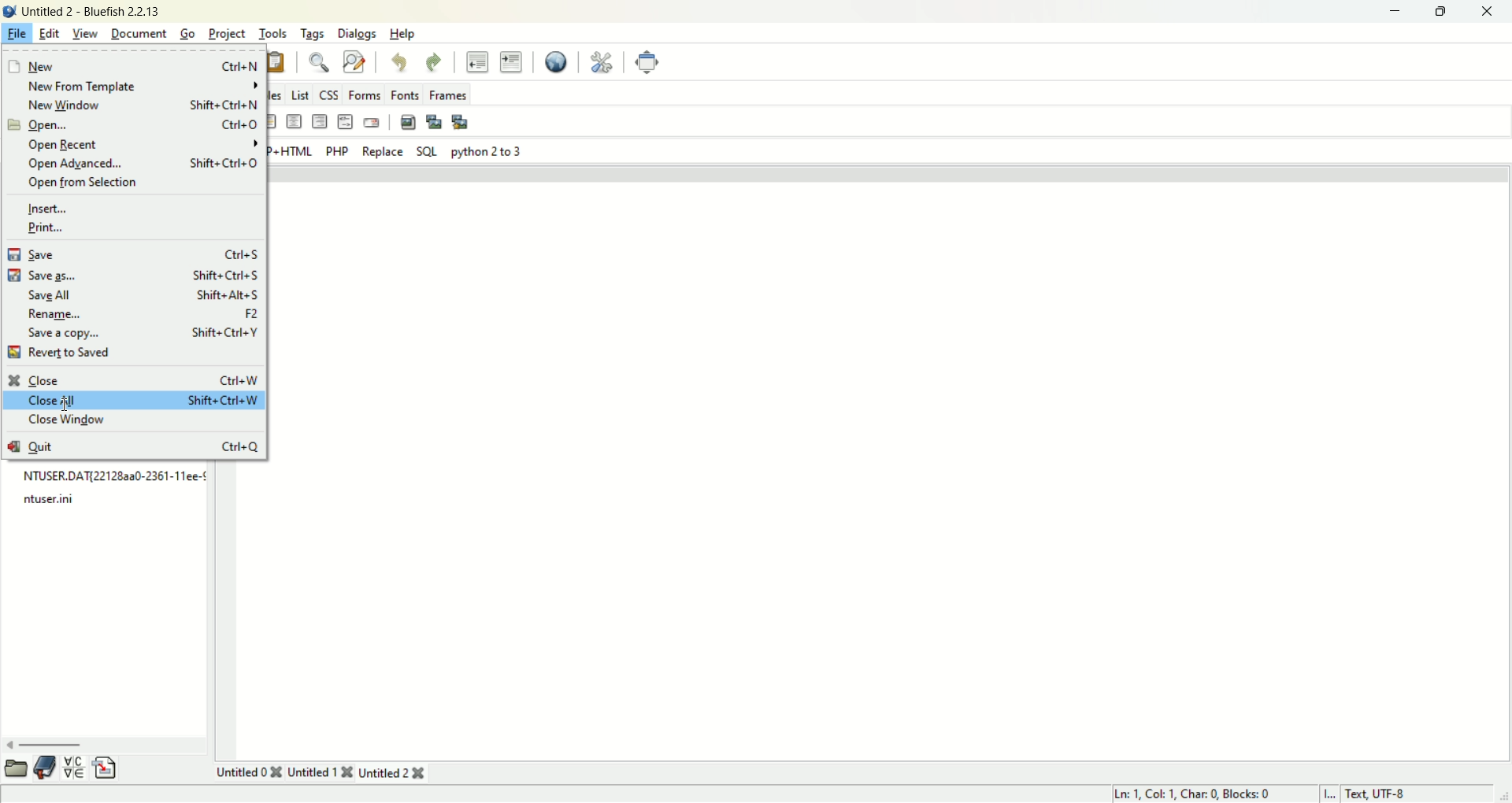  What do you see at coordinates (87, 34) in the screenshot?
I see `view` at bounding box center [87, 34].